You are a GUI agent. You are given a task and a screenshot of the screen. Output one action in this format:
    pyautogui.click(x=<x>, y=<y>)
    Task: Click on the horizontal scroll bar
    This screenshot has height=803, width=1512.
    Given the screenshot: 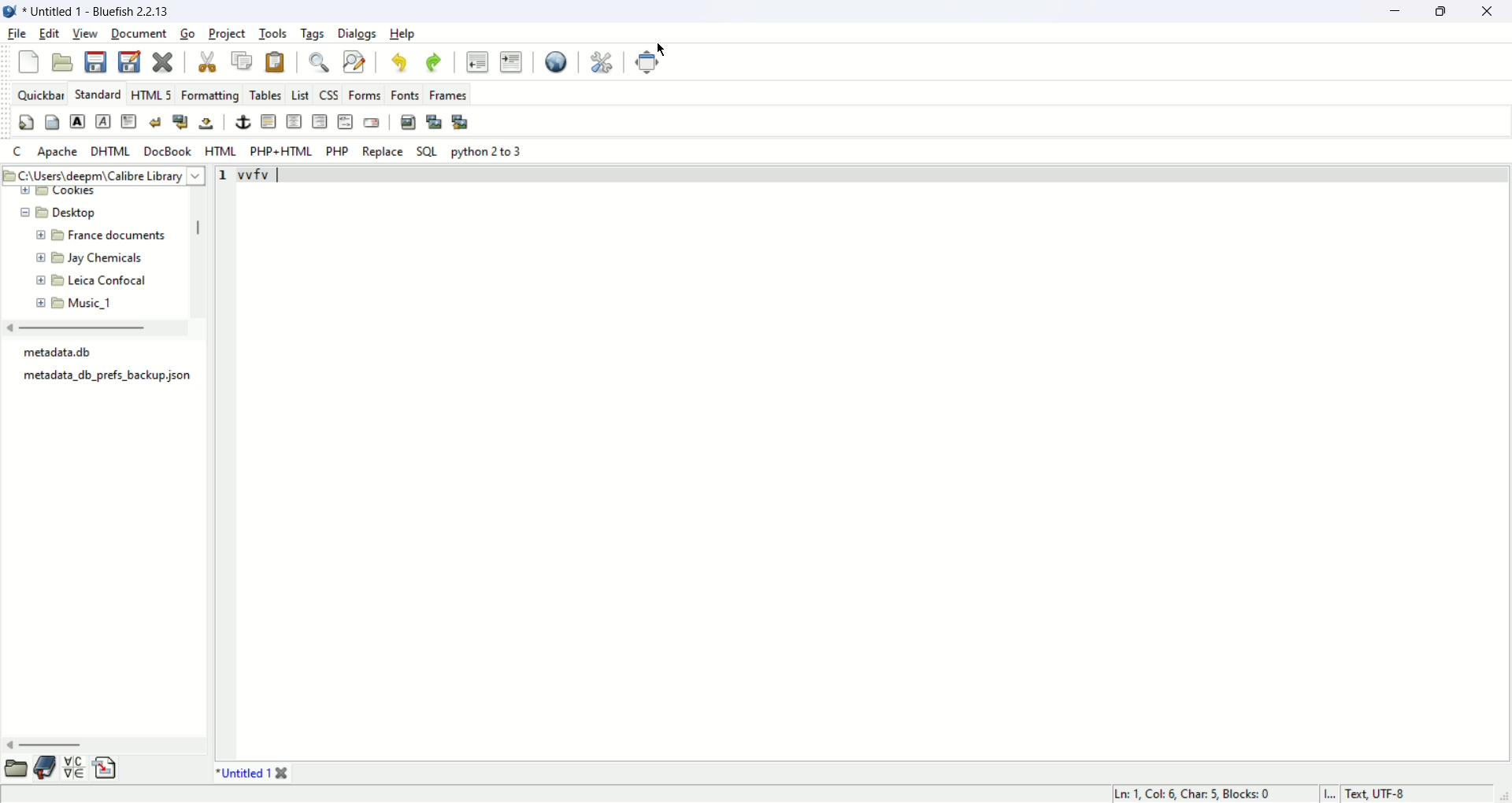 What is the action you would take?
    pyautogui.click(x=76, y=328)
    